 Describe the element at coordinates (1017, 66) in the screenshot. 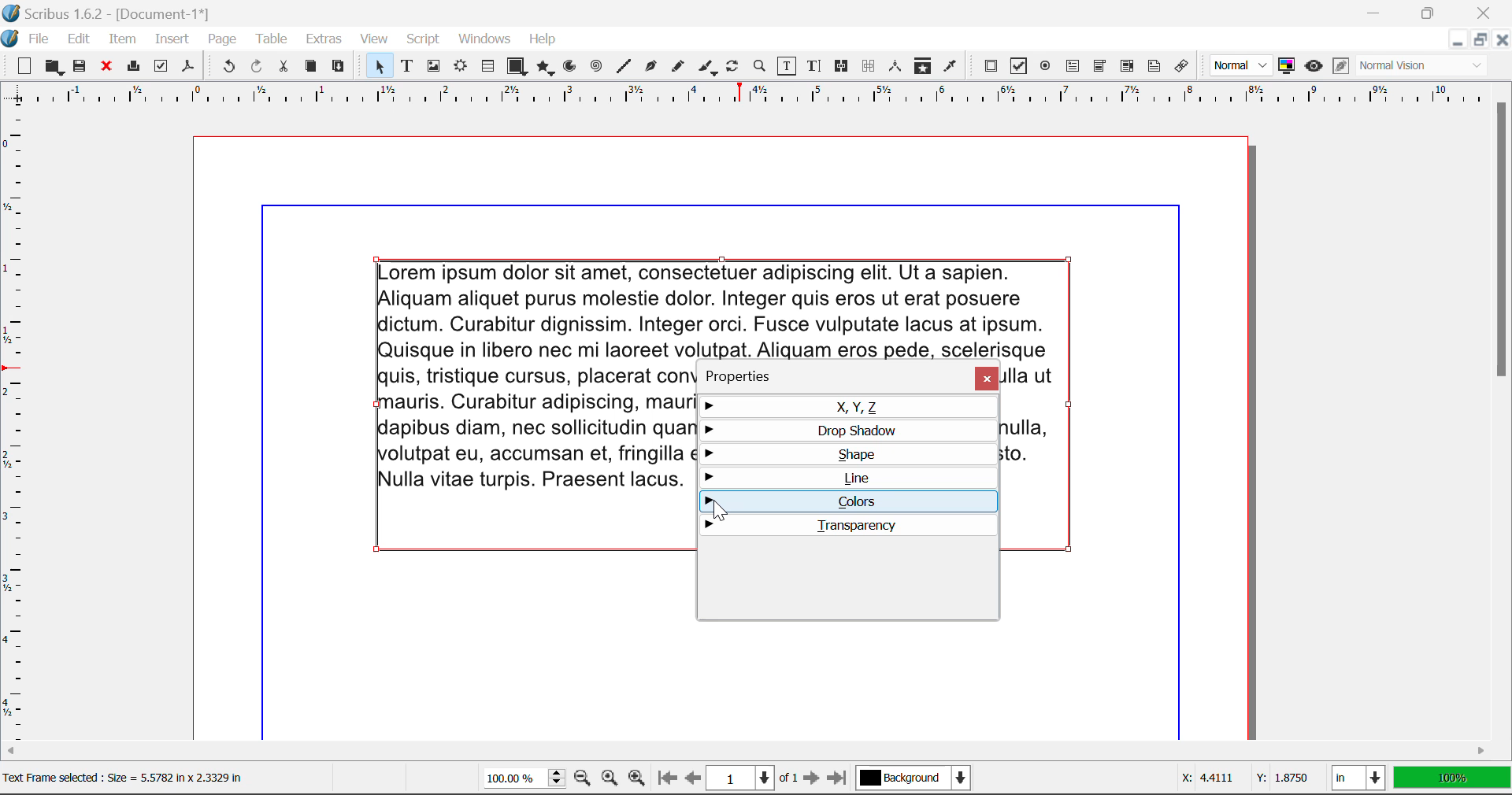

I see `PDF Checkbox` at that location.